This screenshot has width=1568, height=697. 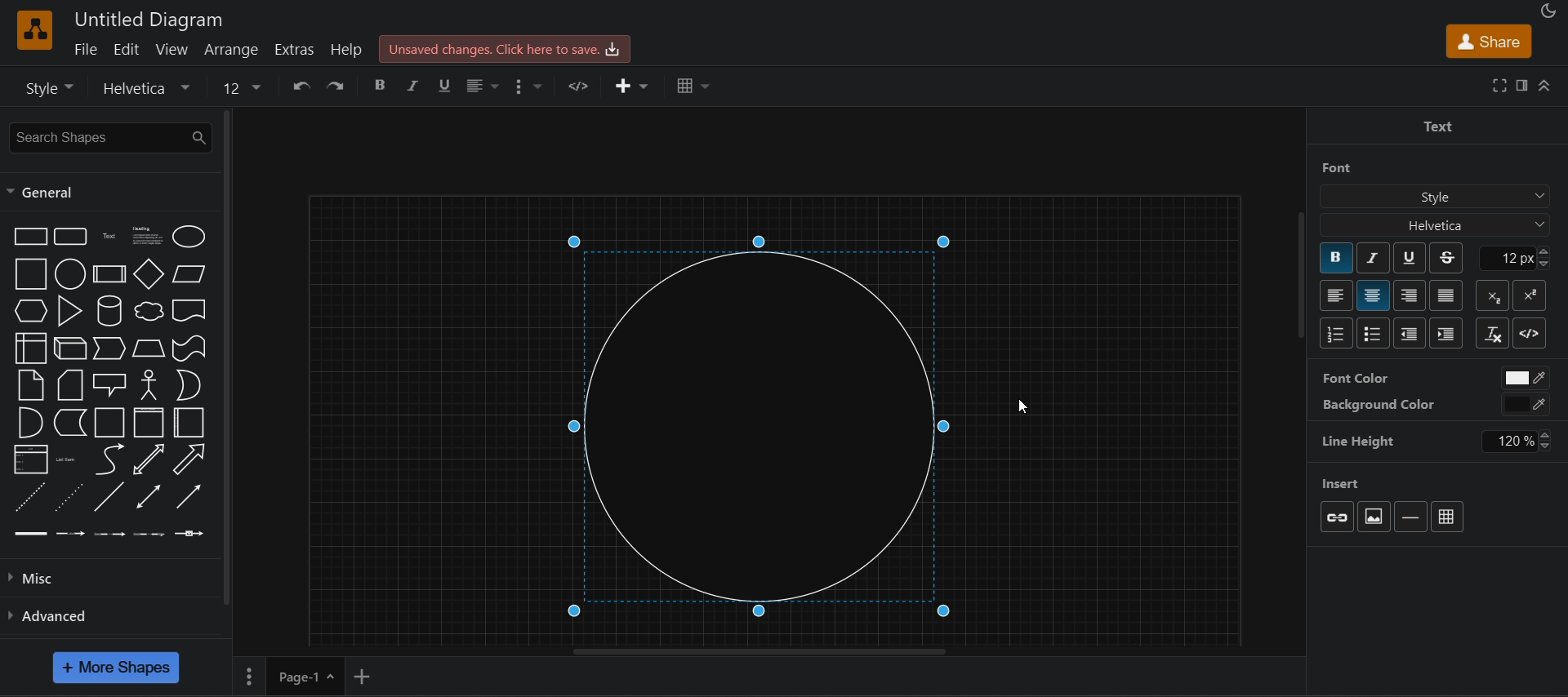 What do you see at coordinates (1338, 332) in the screenshot?
I see `numbered list` at bounding box center [1338, 332].